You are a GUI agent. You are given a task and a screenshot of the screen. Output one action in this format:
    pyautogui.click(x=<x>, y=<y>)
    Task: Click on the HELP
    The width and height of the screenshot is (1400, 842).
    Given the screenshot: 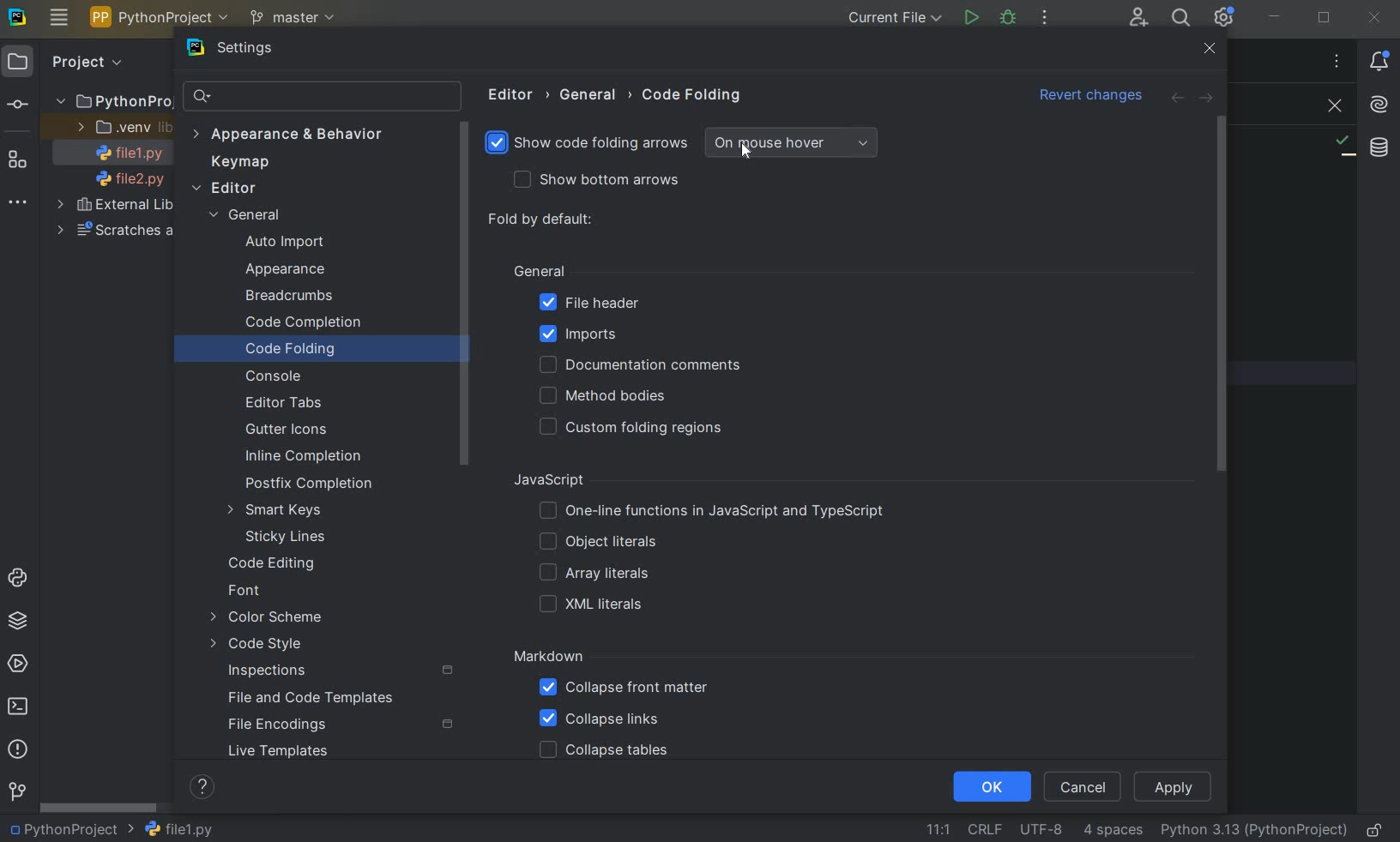 What is the action you would take?
    pyautogui.click(x=204, y=786)
    